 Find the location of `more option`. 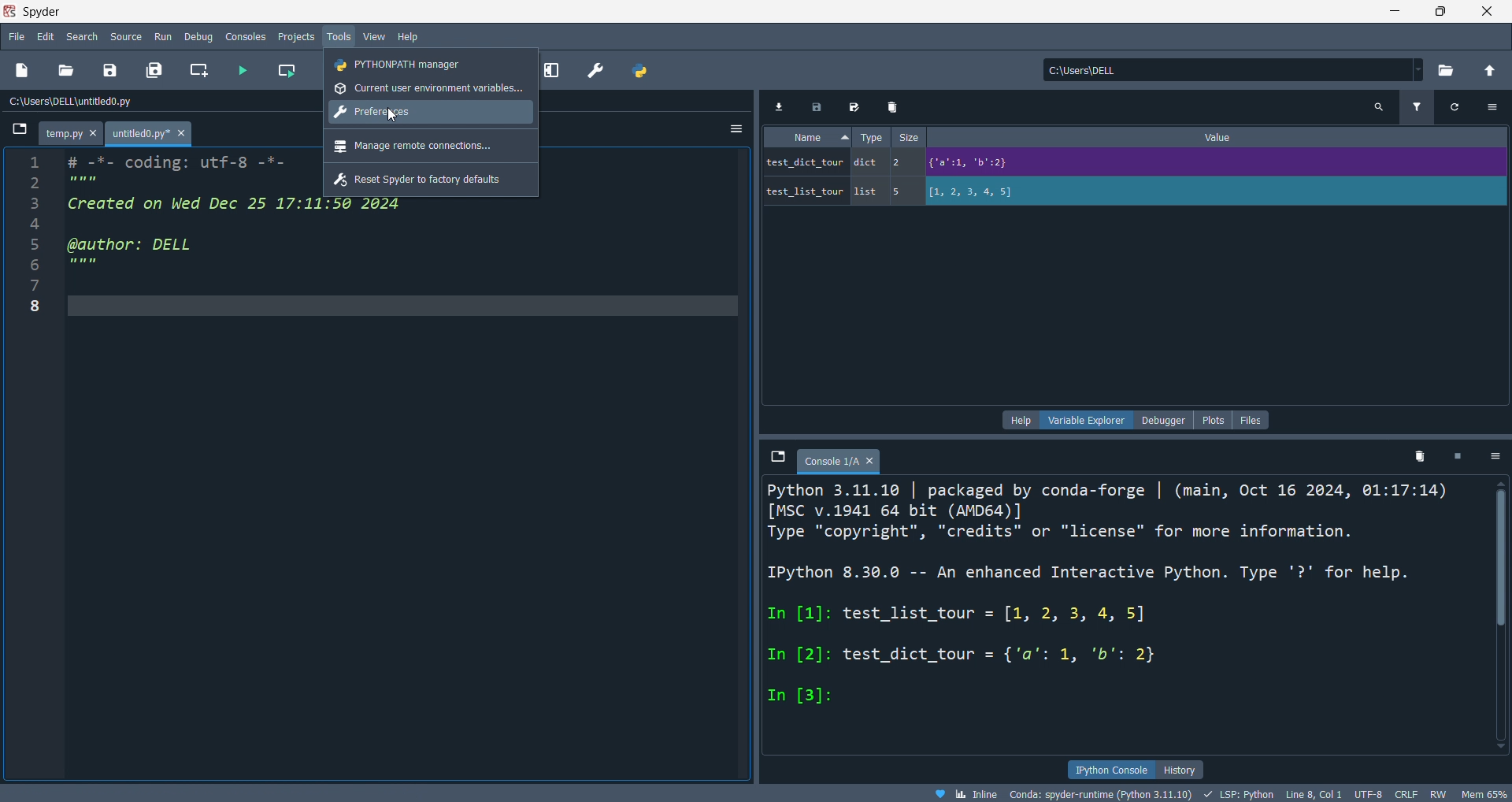

more option is located at coordinates (734, 129).